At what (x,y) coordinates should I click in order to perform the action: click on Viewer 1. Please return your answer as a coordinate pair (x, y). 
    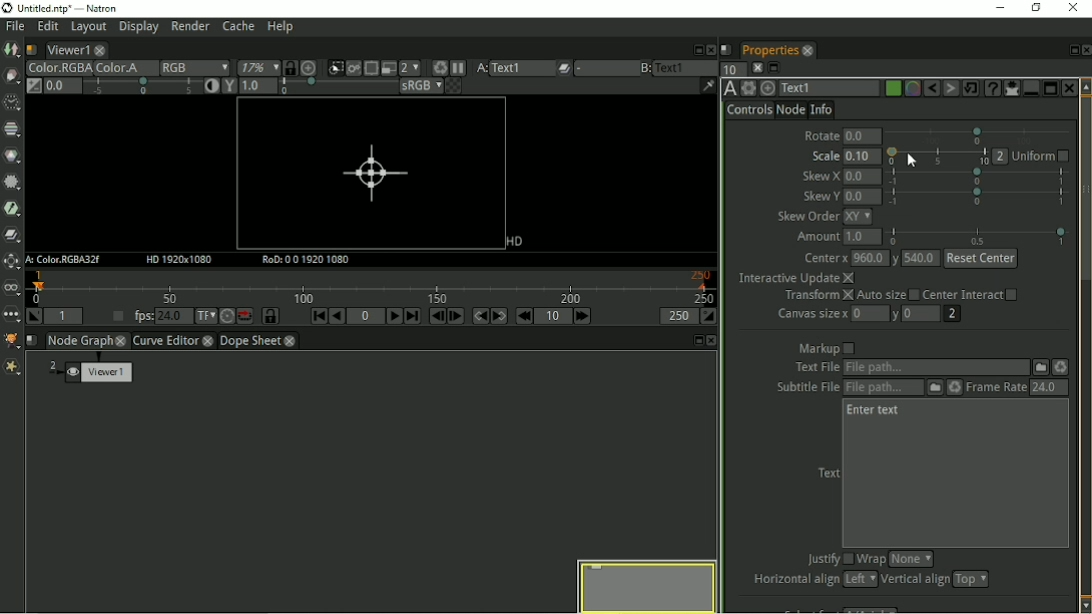
    Looking at the image, I should click on (102, 372).